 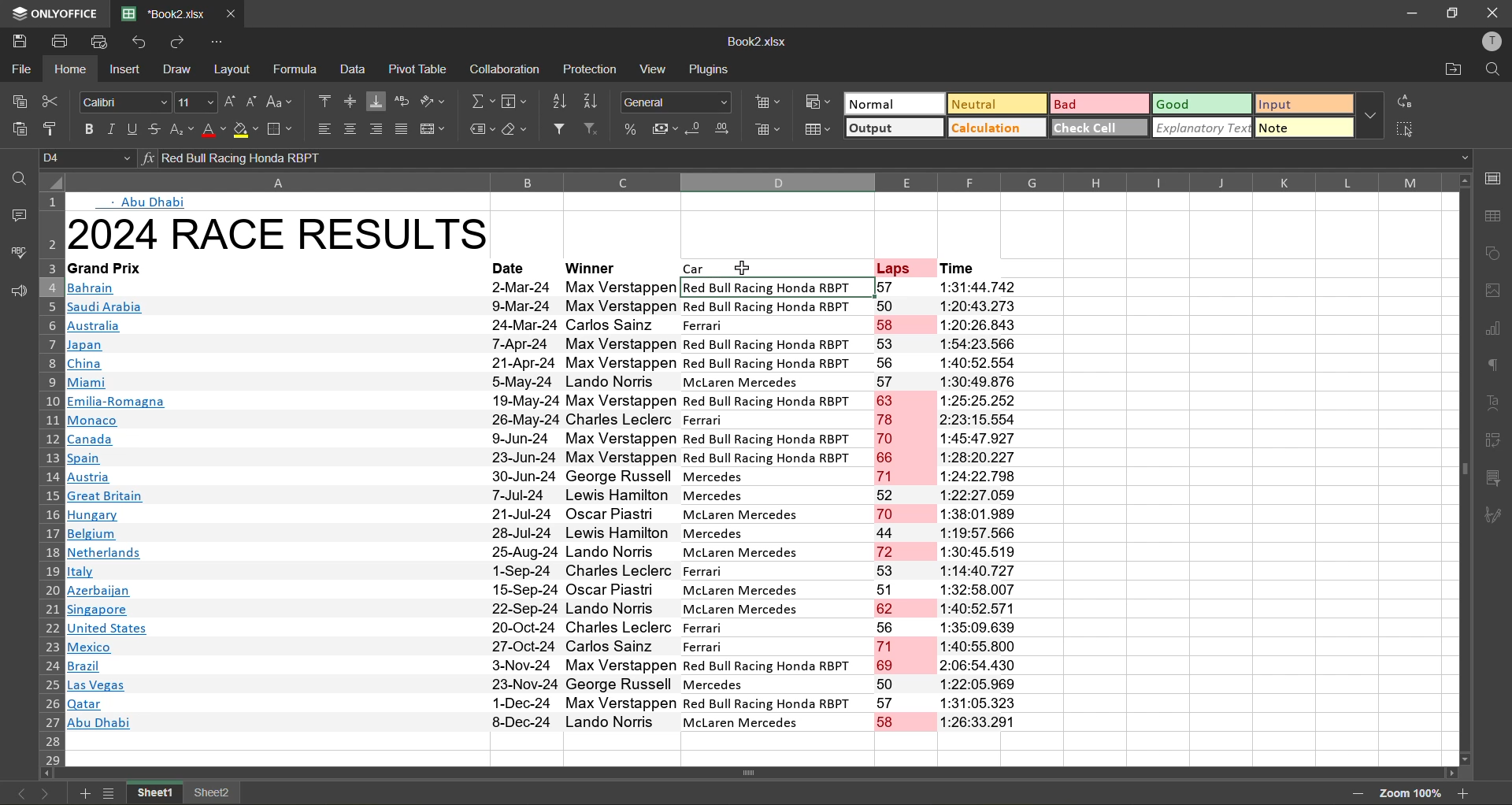 What do you see at coordinates (23, 72) in the screenshot?
I see `file` at bounding box center [23, 72].